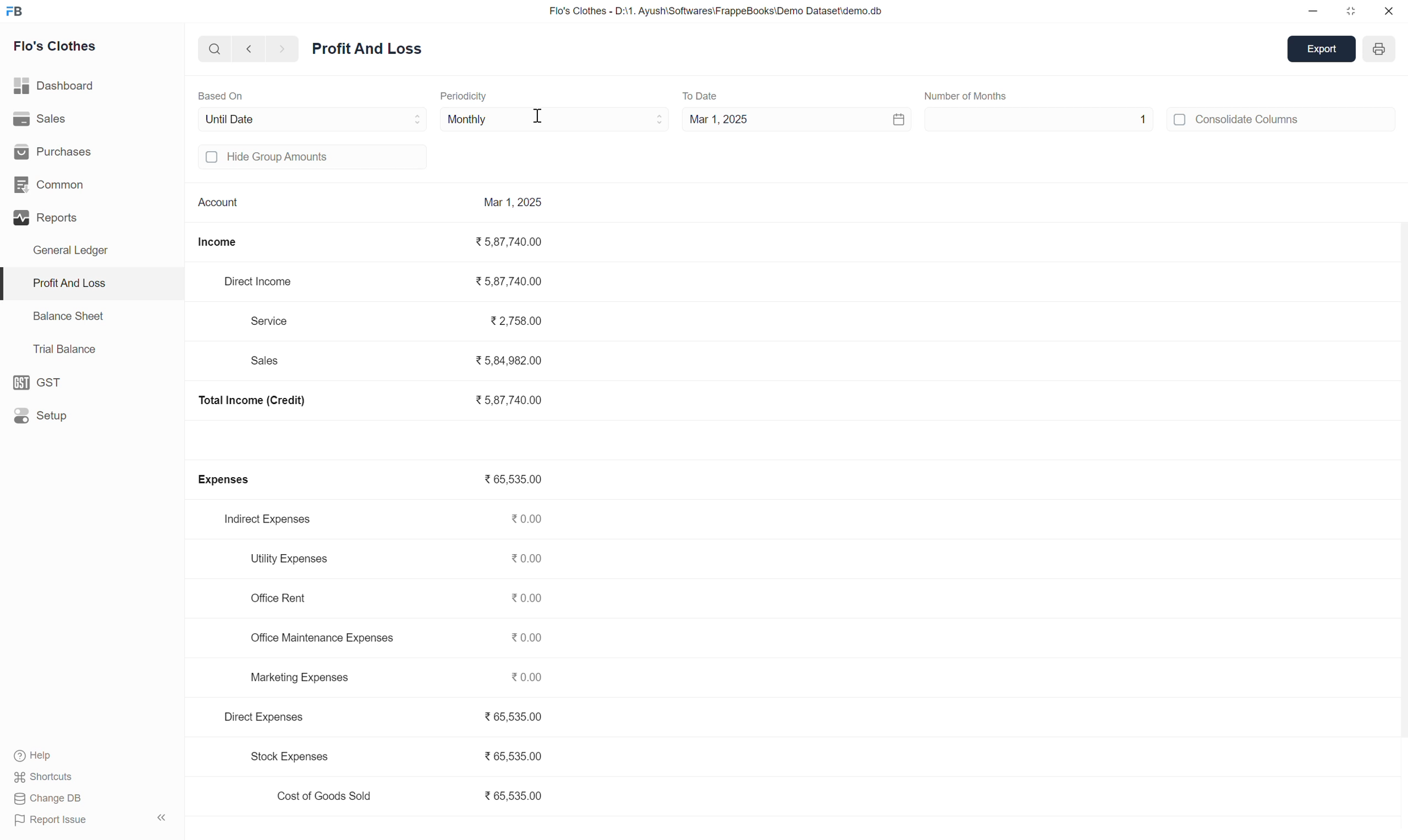 The width and height of the screenshot is (1408, 840). Describe the element at coordinates (1350, 11) in the screenshot. I see `restore down` at that location.